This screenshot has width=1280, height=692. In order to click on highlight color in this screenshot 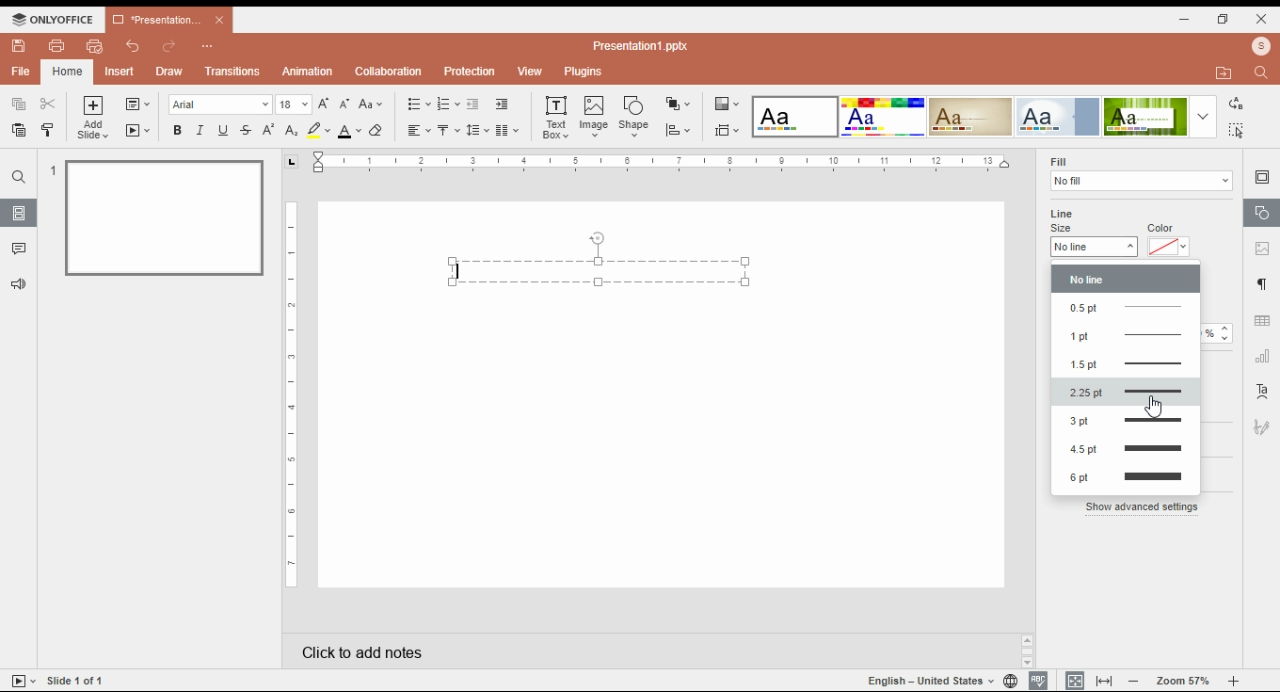, I will do `click(317, 129)`.